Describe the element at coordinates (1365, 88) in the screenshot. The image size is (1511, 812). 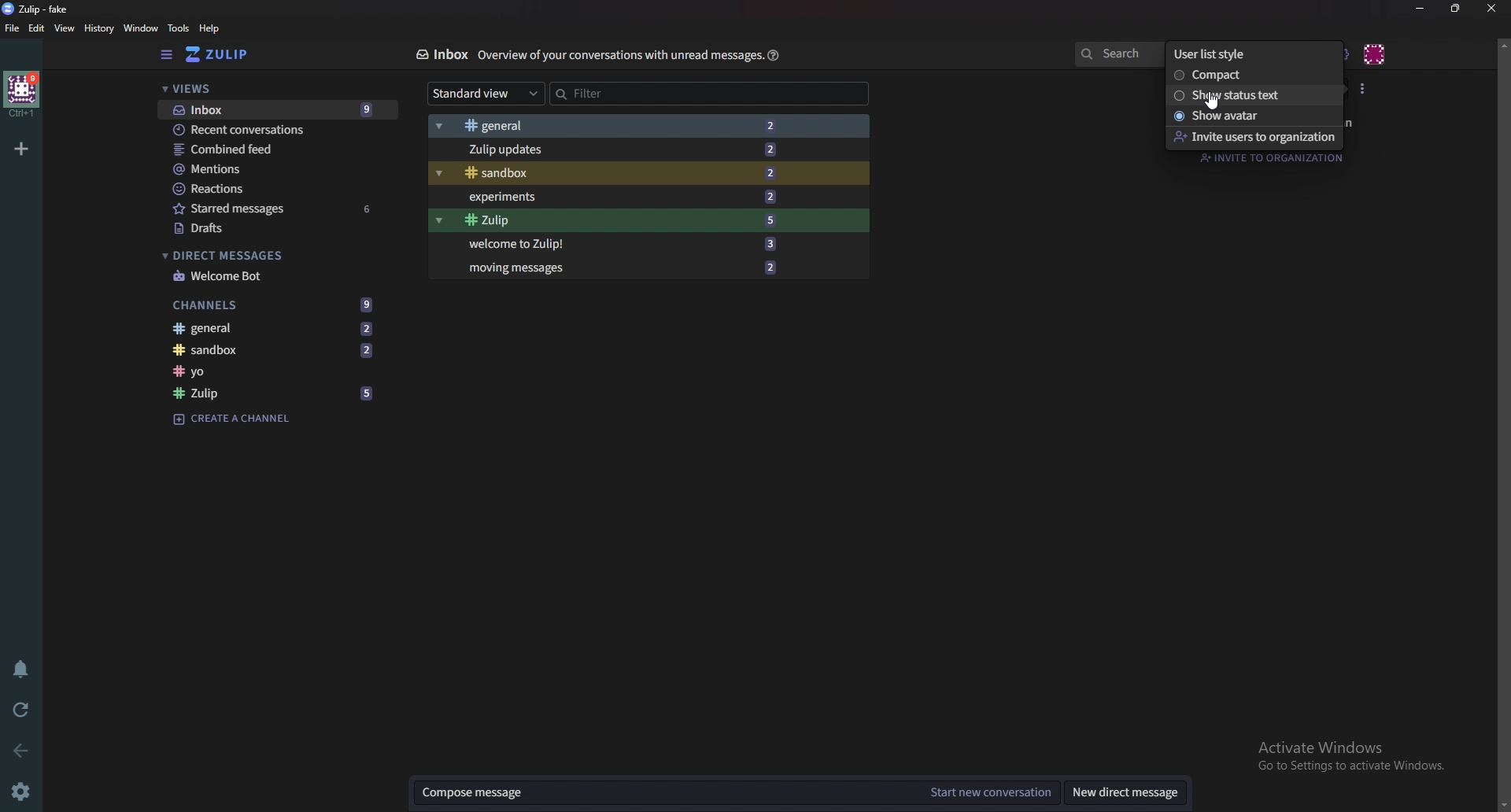
I see `User list style` at that location.